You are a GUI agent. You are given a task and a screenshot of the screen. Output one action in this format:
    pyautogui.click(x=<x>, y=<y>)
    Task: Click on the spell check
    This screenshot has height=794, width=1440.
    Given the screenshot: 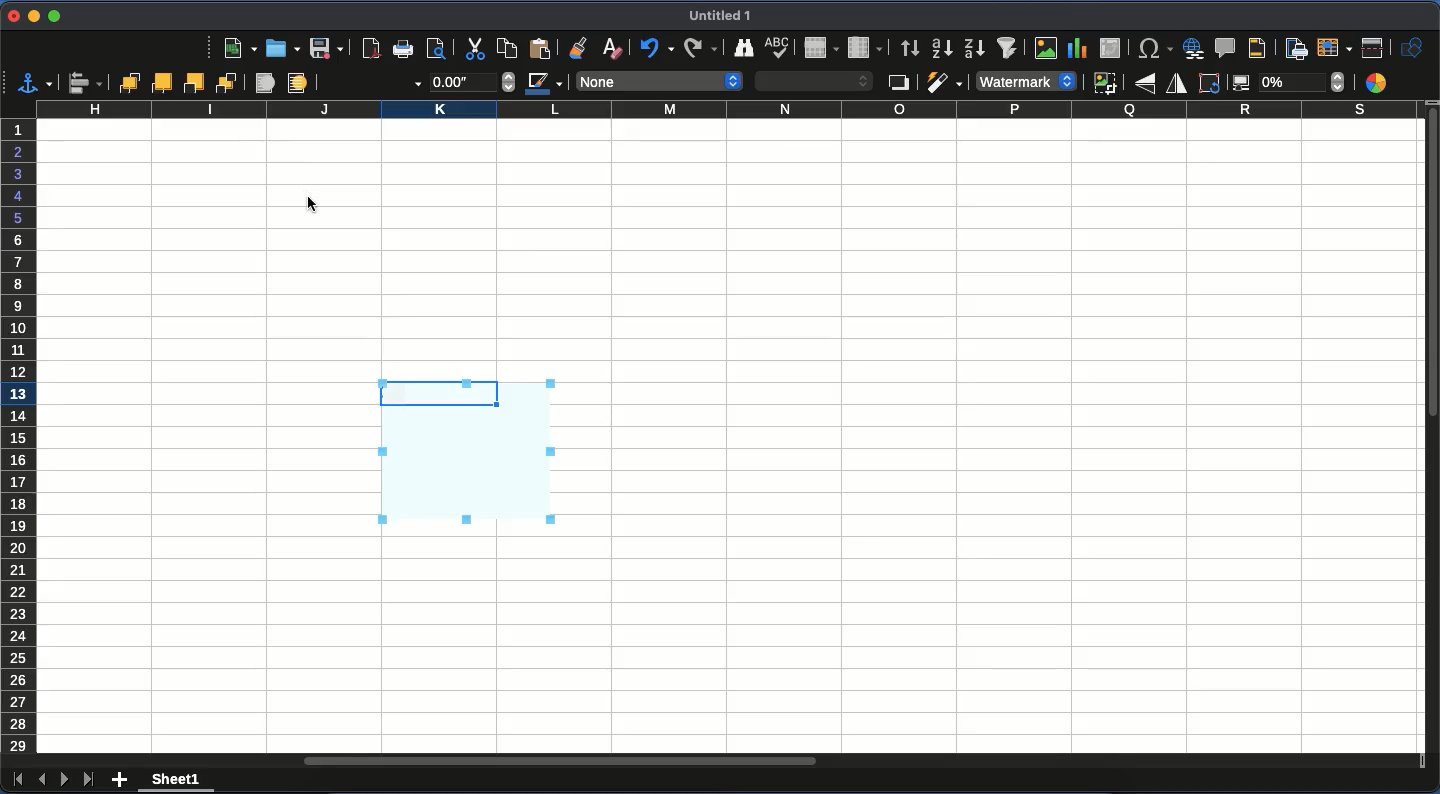 What is the action you would take?
    pyautogui.click(x=780, y=48)
    